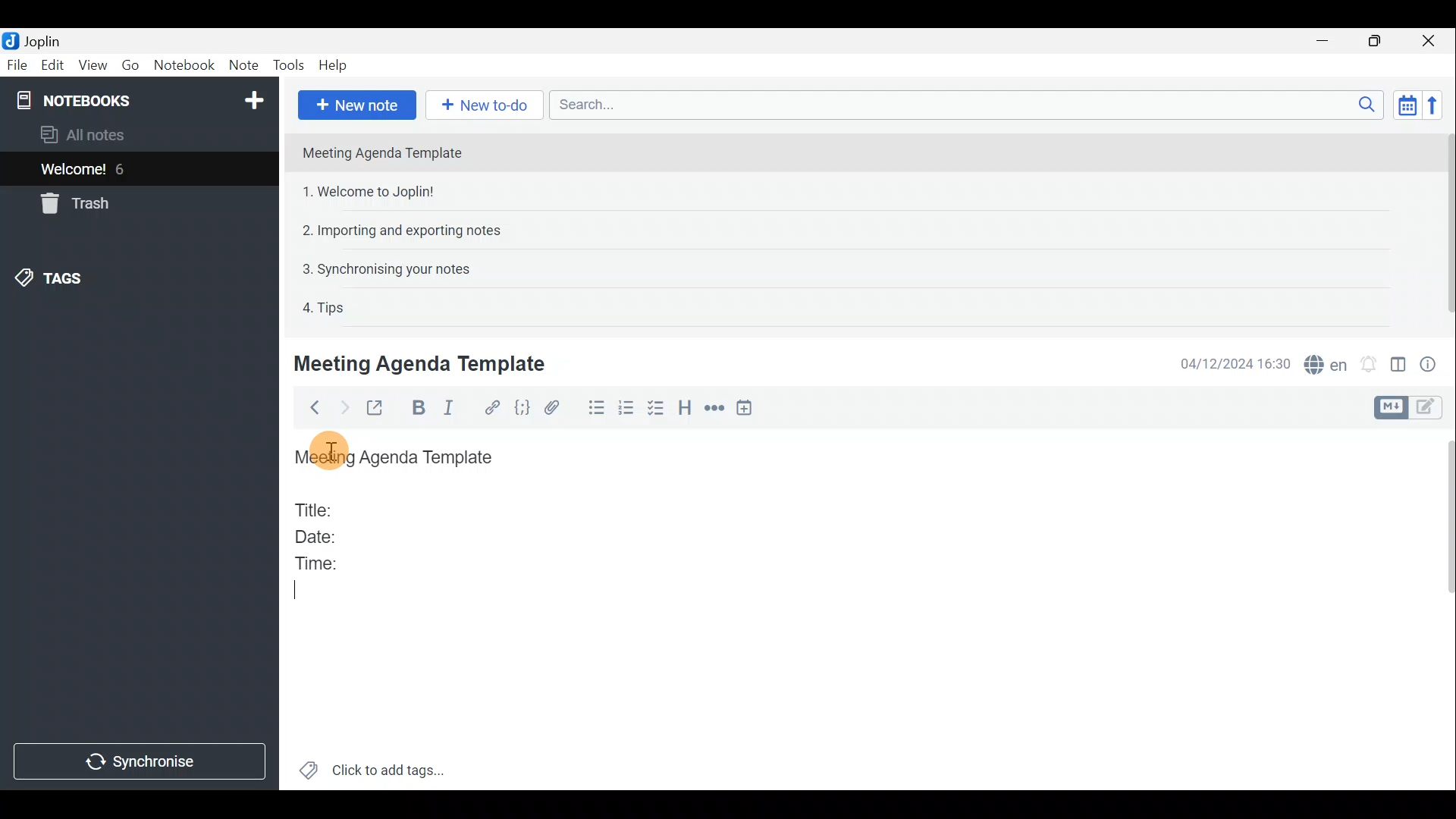  Describe the element at coordinates (325, 307) in the screenshot. I see `4. Tips` at that location.